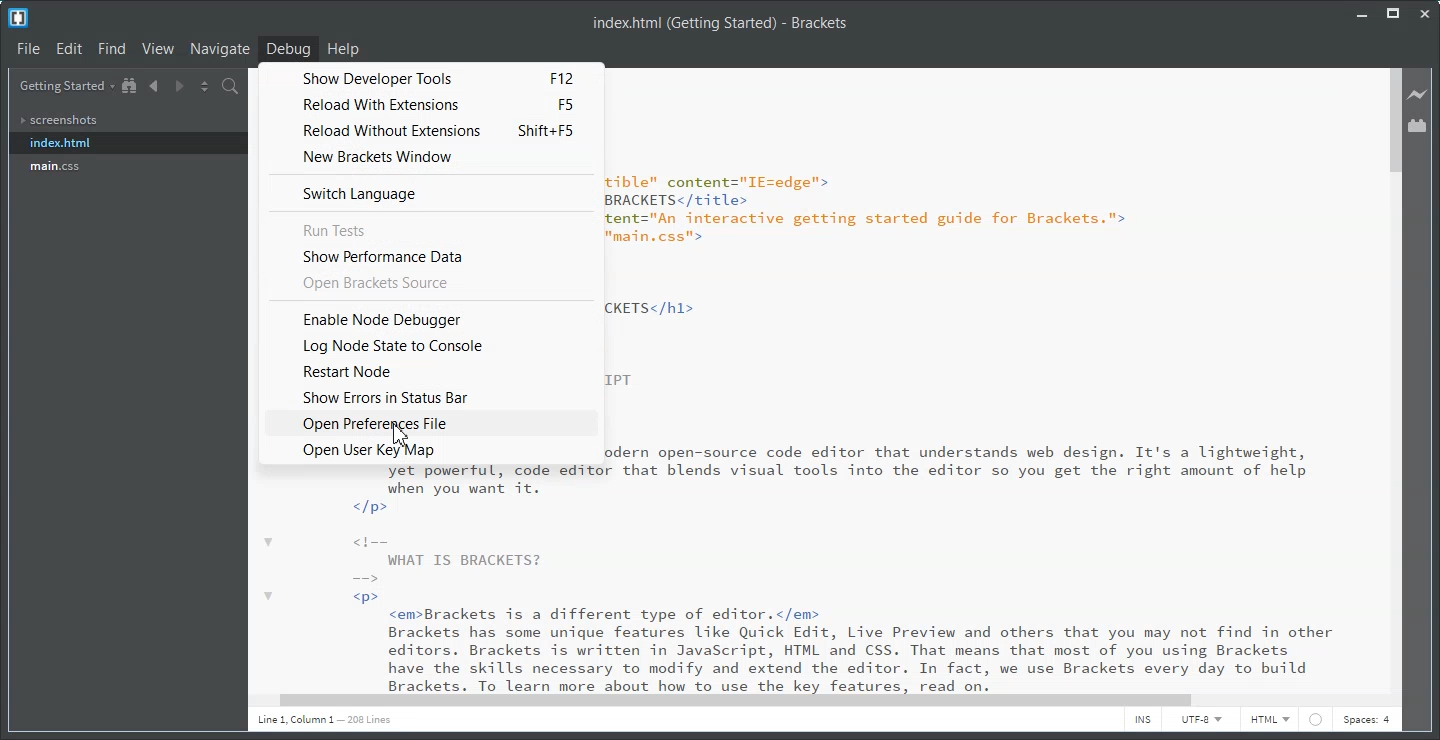 The height and width of the screenshot is (740, 1440). What do you see at coordinates (1419, 126) in the screenshot?
I see `Extension Manager` at bounding box center [1419, 126].